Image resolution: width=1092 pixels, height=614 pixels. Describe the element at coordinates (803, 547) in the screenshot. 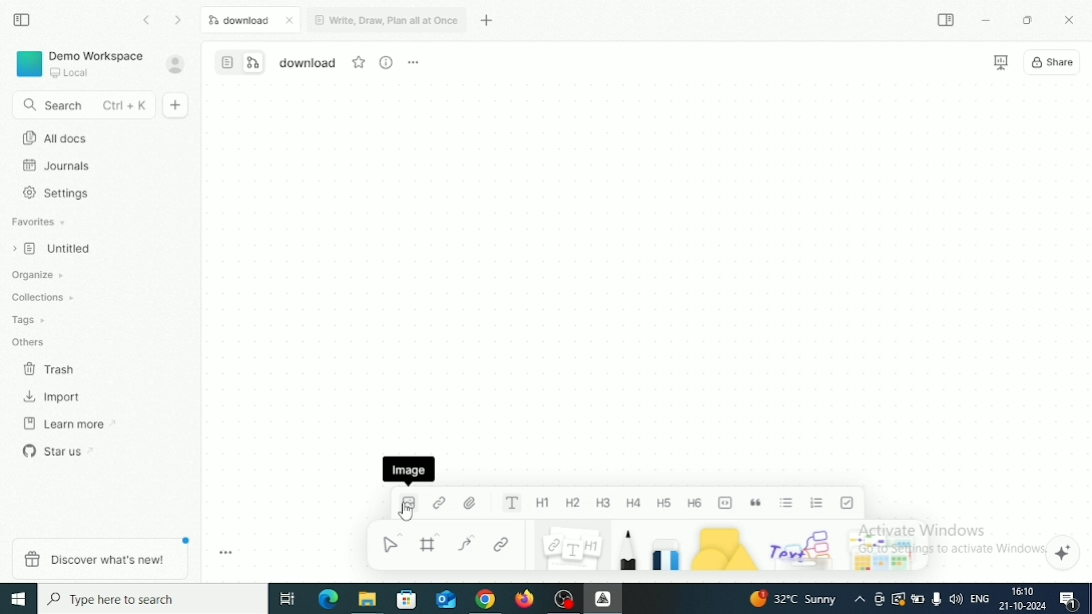

I see `Others` at that location.